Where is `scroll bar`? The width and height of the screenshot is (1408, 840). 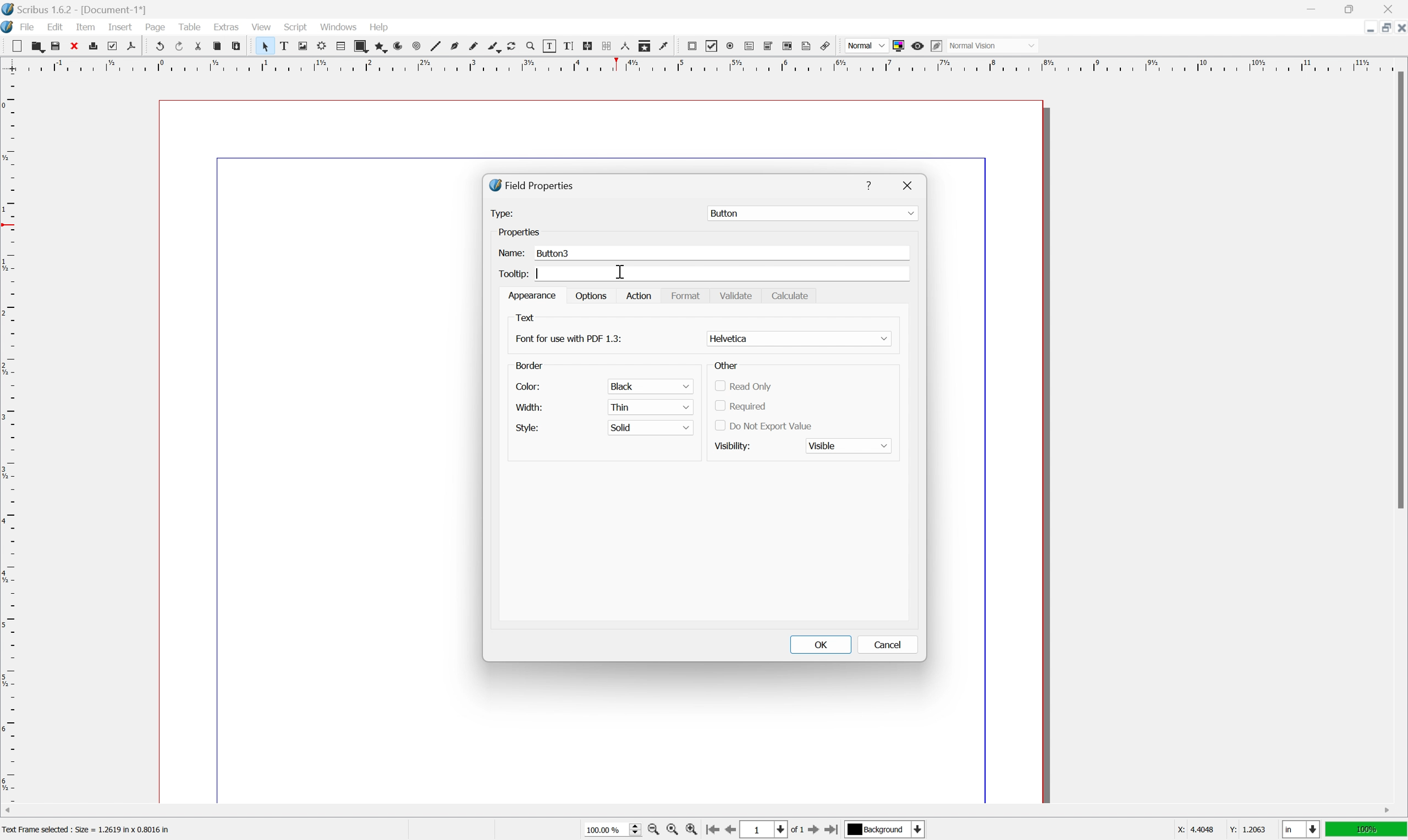
scroll bar is located at coordinates (1397, 289).